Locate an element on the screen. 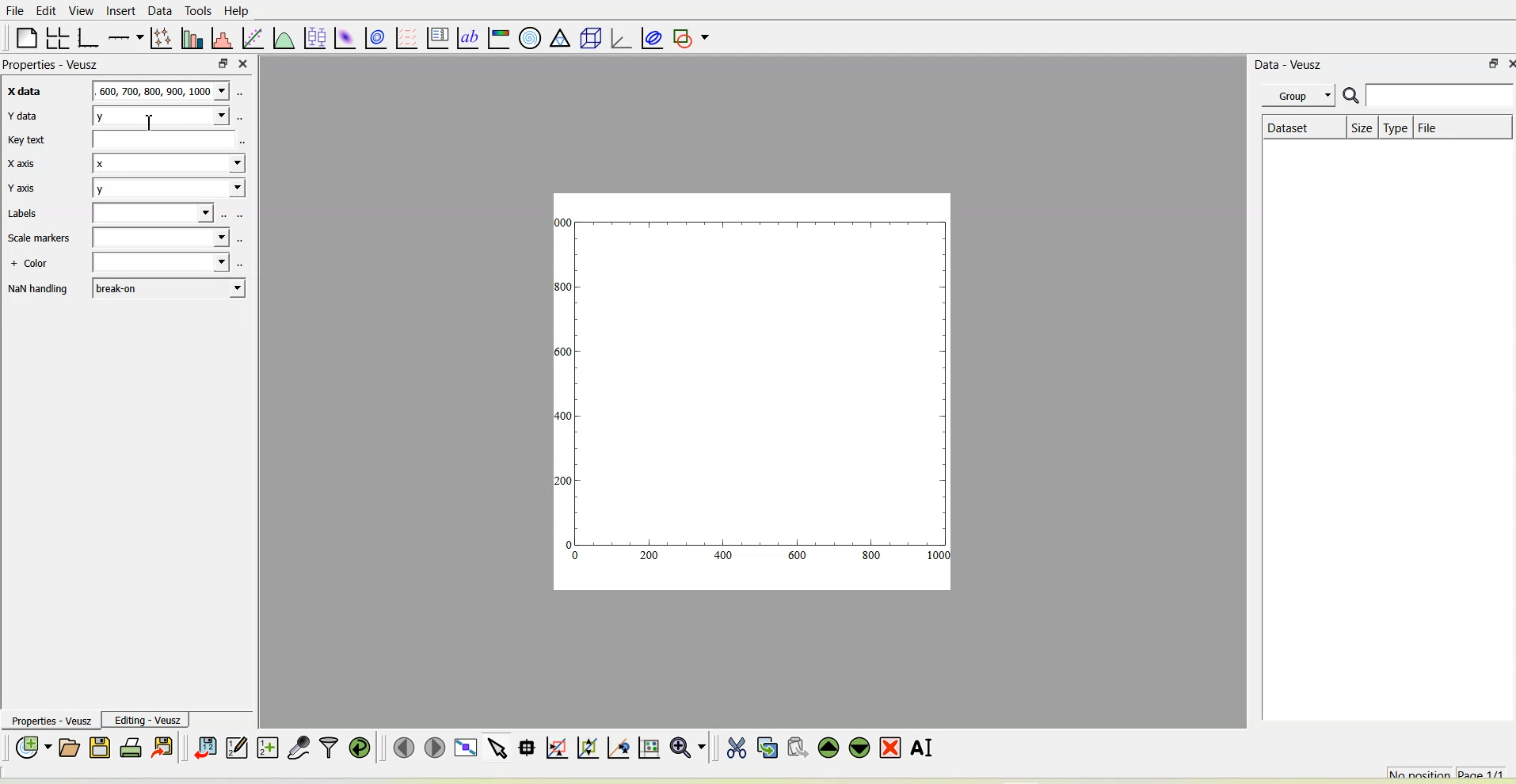 This screenshot has width=1516, height=784. Renames the selected widget is located at coordinates (921, 746).